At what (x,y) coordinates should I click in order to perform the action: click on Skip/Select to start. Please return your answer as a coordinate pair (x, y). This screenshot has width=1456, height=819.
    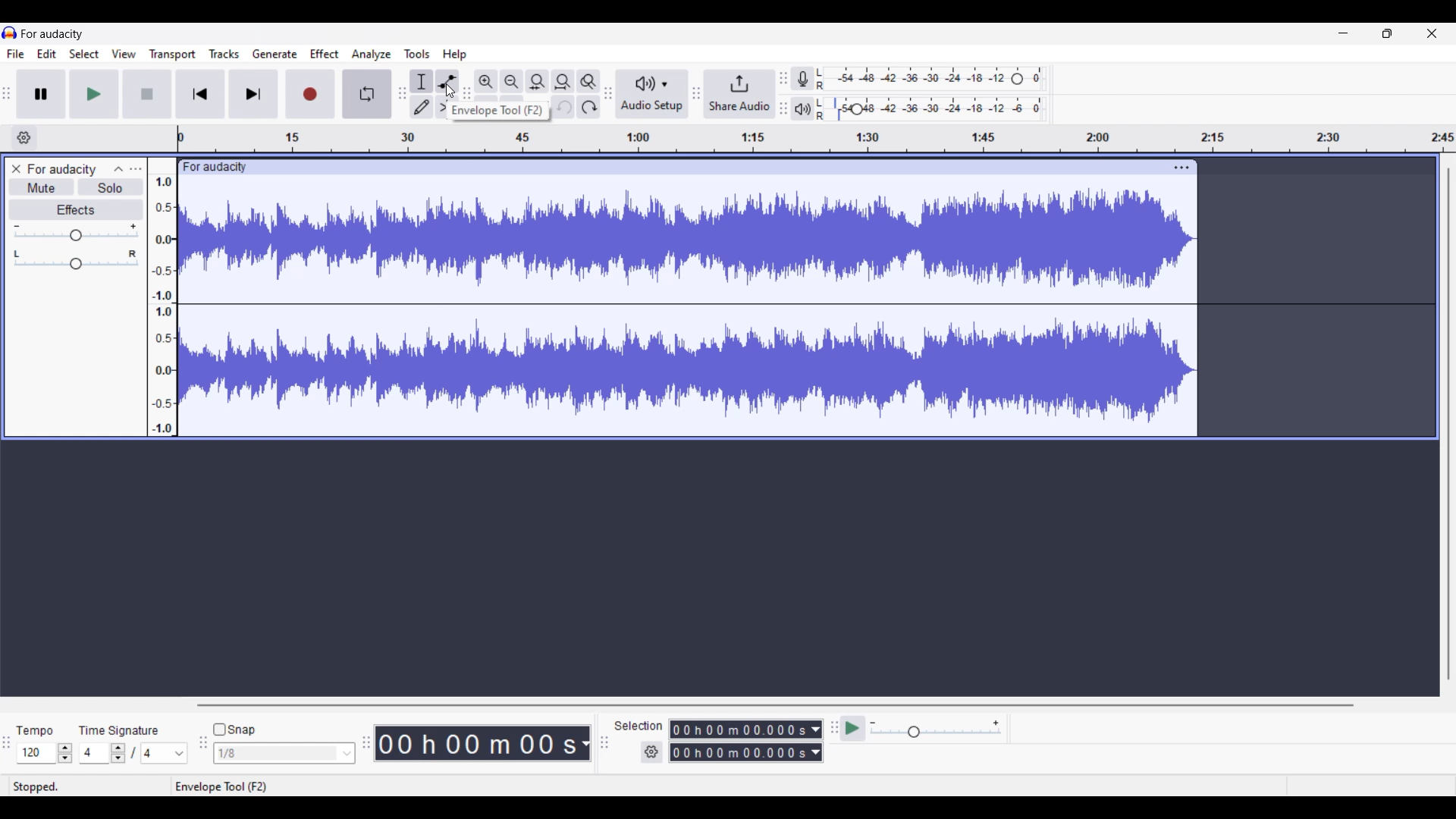
    Looking at the image, I should click on (200, 93).